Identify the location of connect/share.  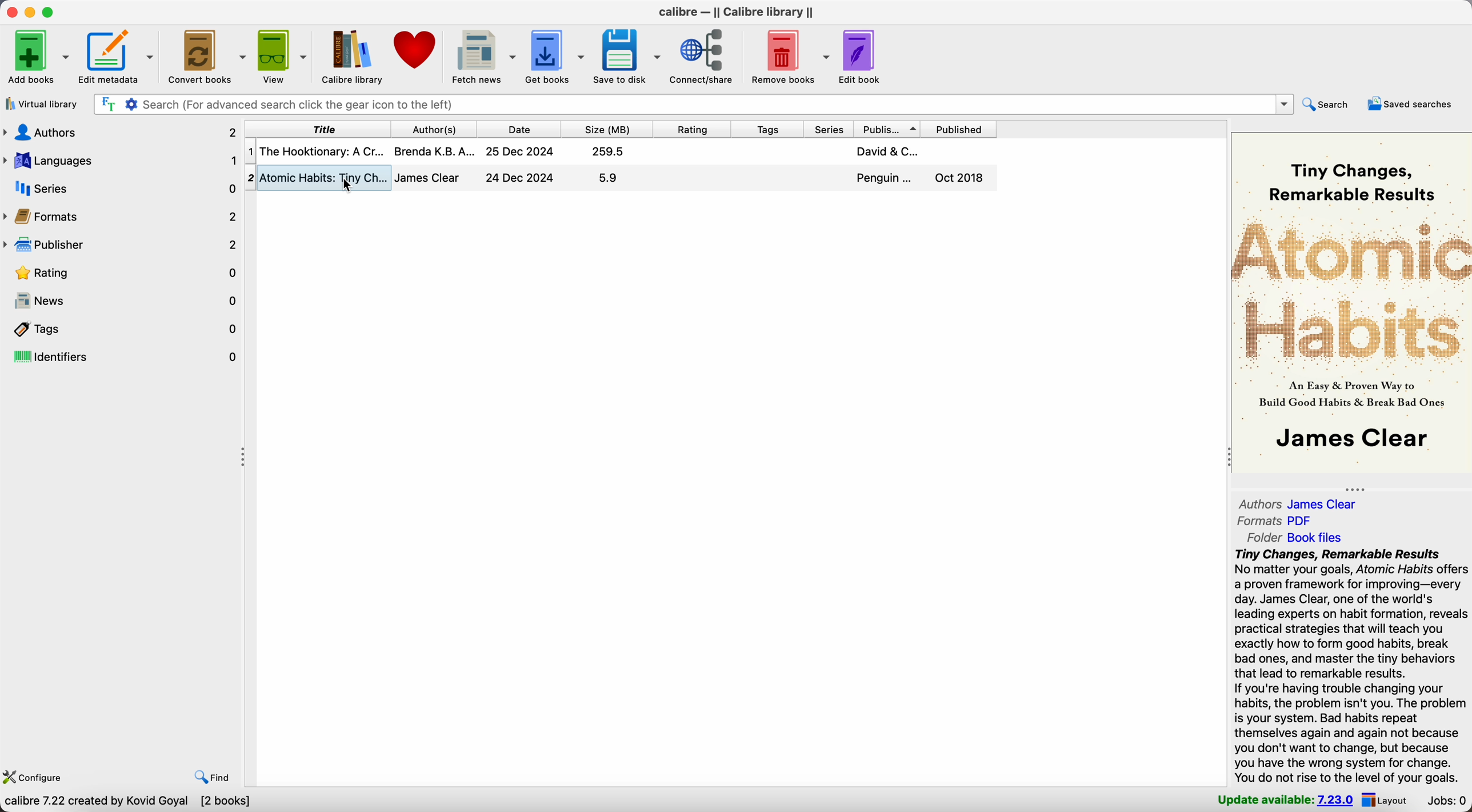
(704, 57).